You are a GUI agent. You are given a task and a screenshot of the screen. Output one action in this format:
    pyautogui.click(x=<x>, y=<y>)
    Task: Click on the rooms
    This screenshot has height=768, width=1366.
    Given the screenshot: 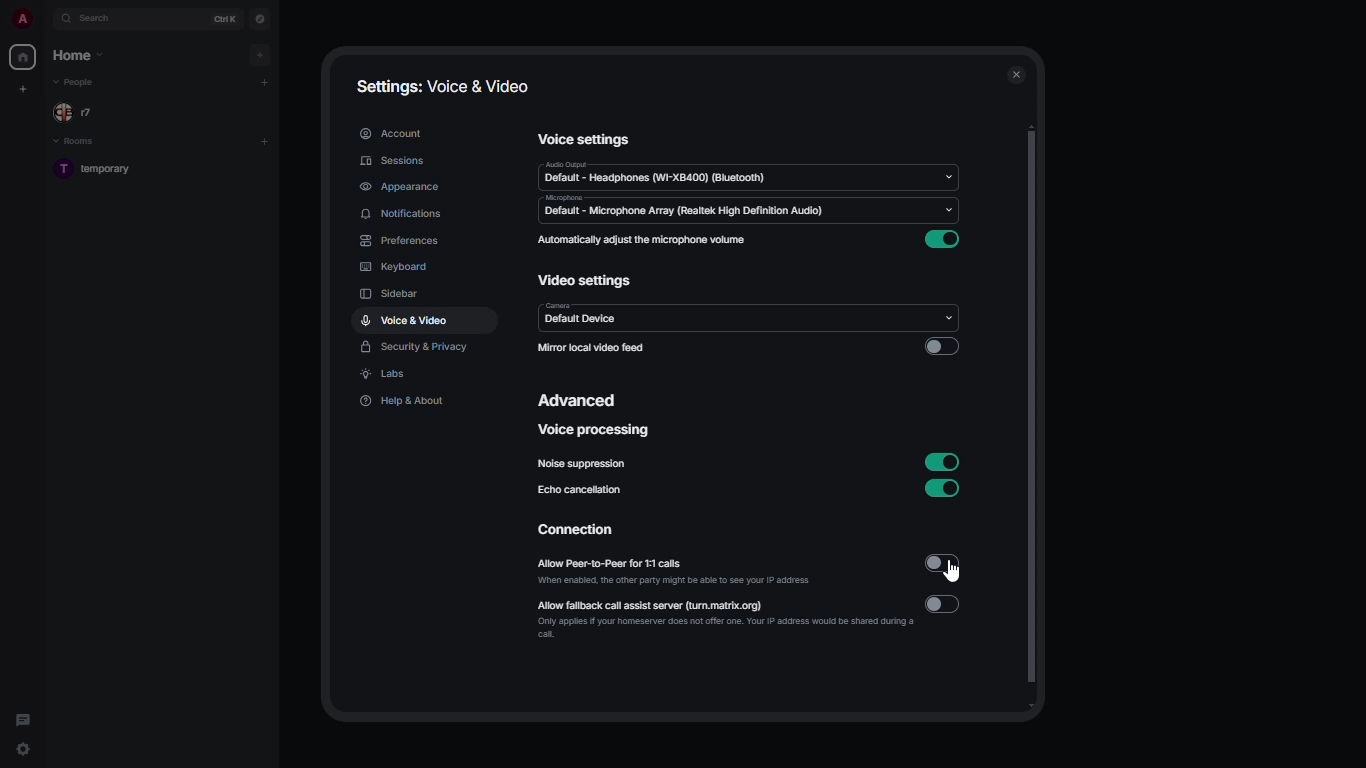 What is the action you would take?
    pyautogui.click(x=77, y=142)
    